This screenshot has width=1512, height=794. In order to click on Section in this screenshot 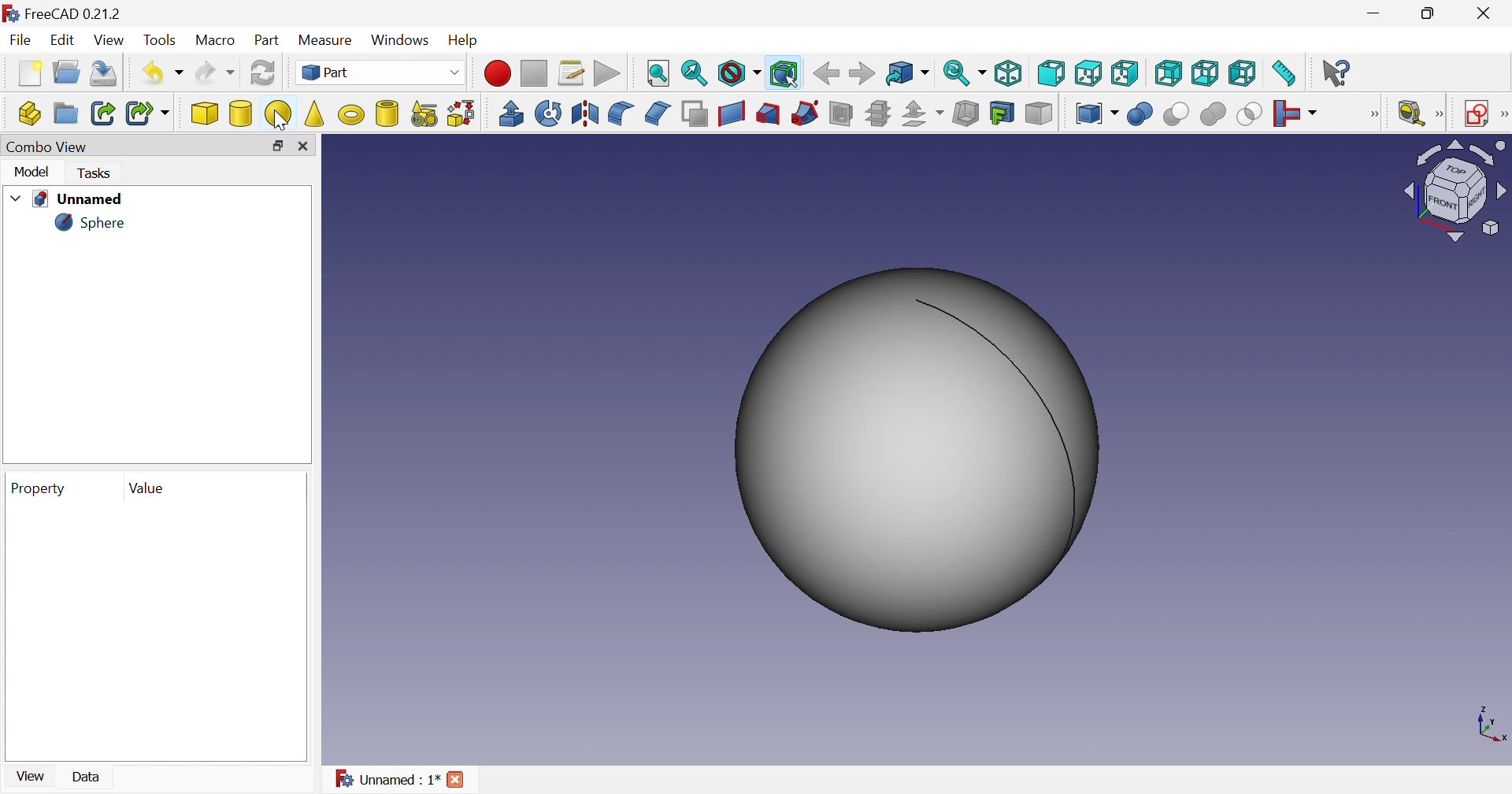, I will do `click(842, 113)`.